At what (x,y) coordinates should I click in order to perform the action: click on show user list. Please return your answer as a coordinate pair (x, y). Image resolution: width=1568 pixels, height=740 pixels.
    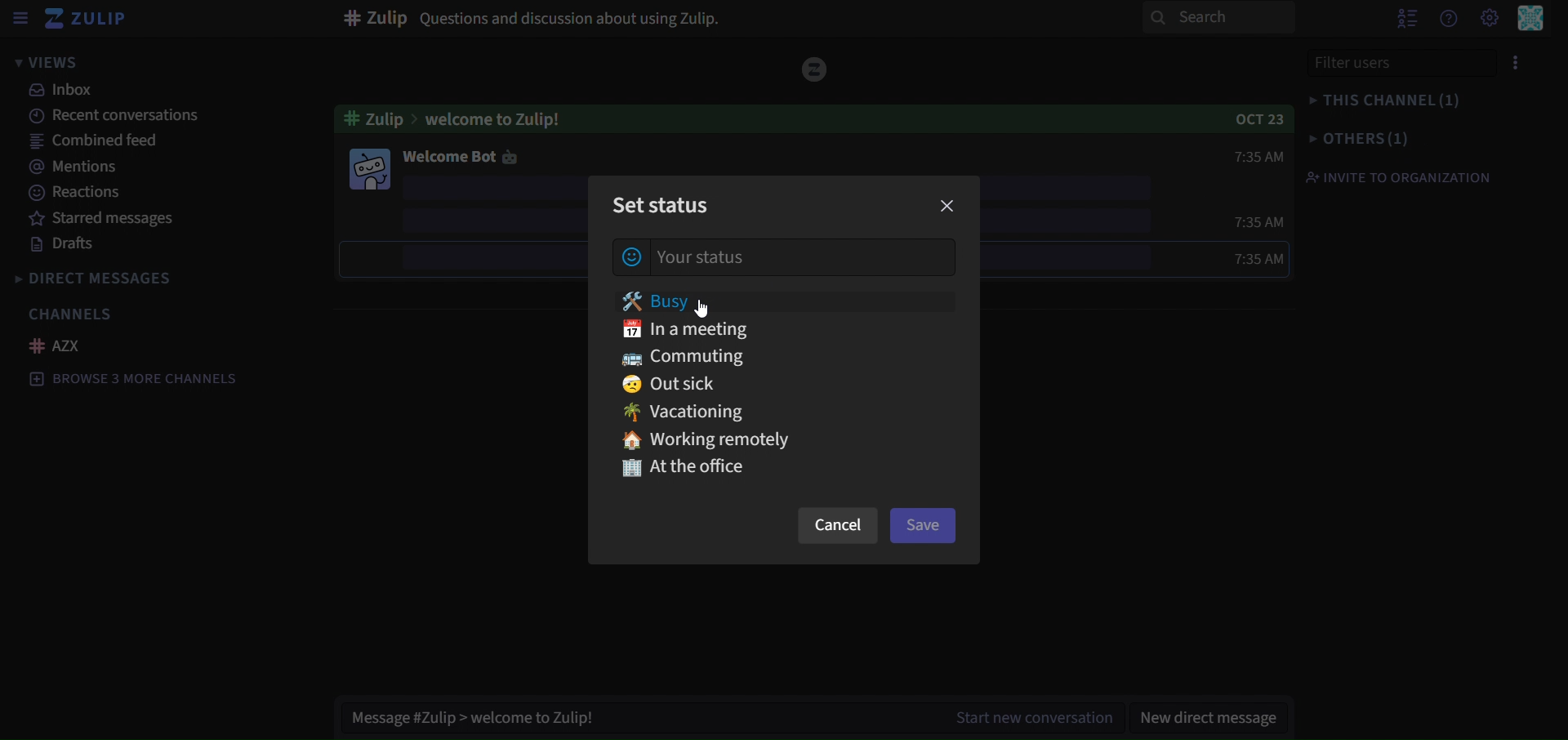
    Looking at the image, I should click on (1410, 17).